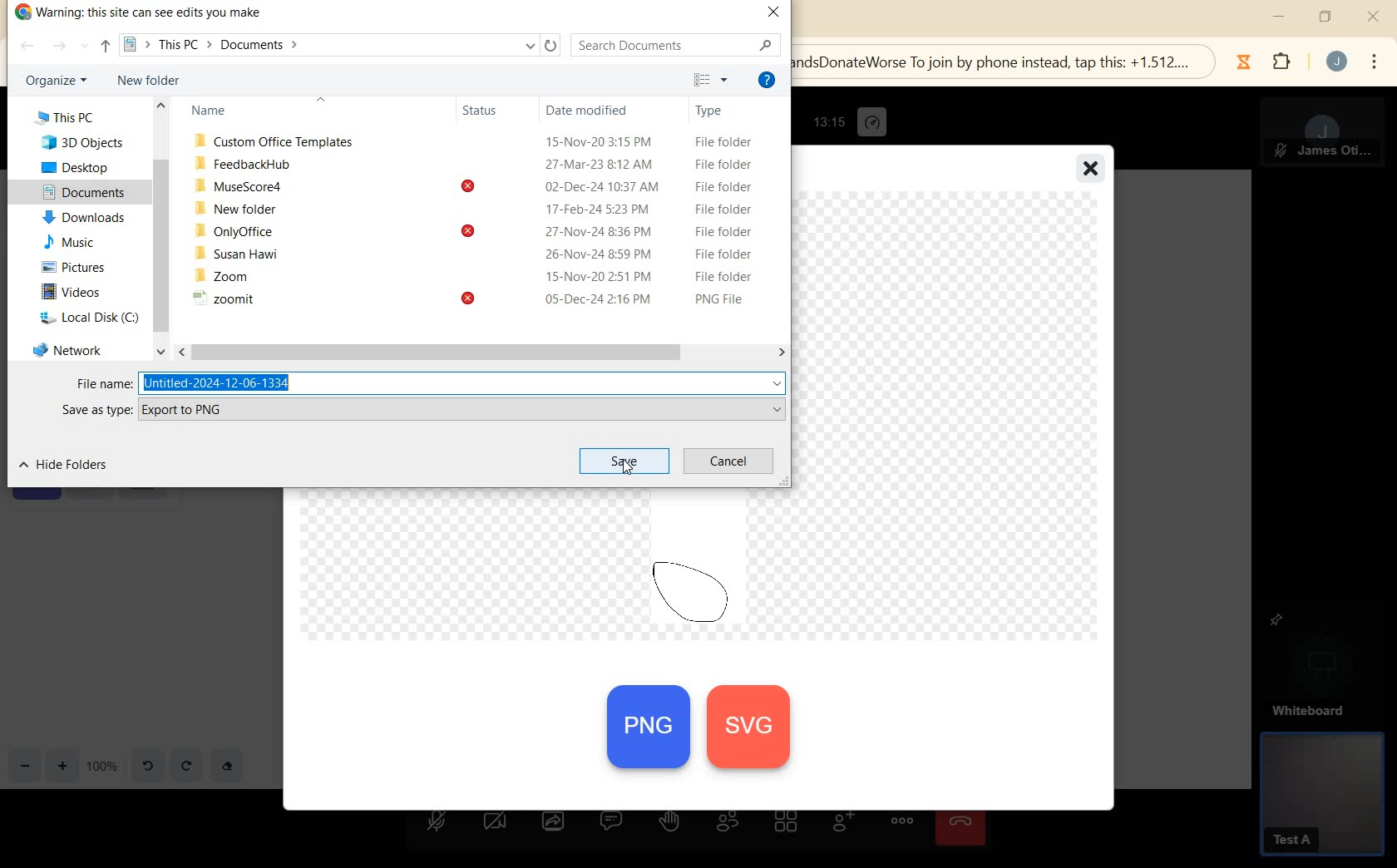 Image resolution: width=1397 pixels, height=868 pixels. I want to click on extensions, so click(1283, 65).